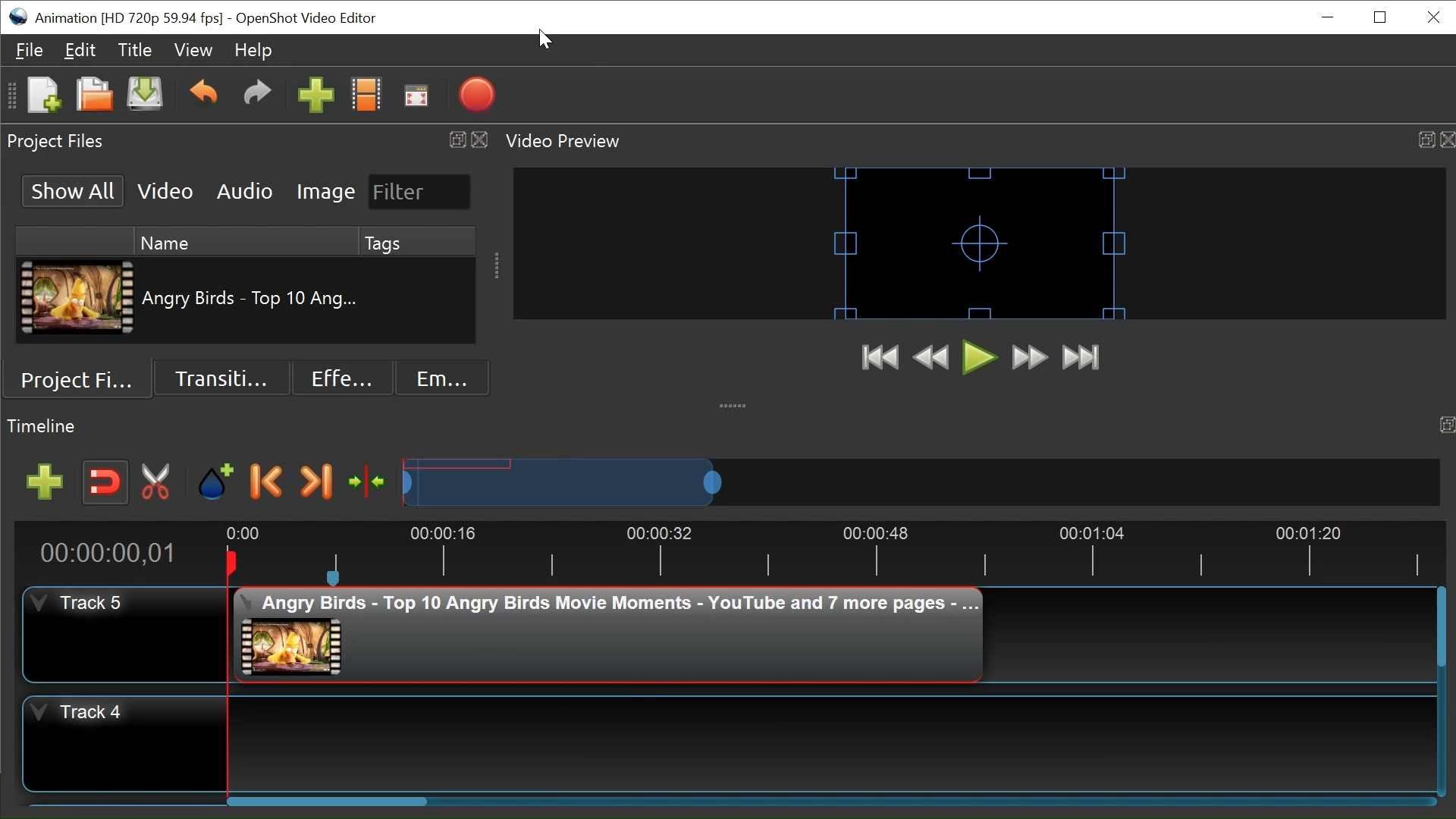 This screenshot has height=819, width=1456. What do you see at coordinates (548, 42) in the screenshot?
I see `Cursor` at bounding box center [548, 42].